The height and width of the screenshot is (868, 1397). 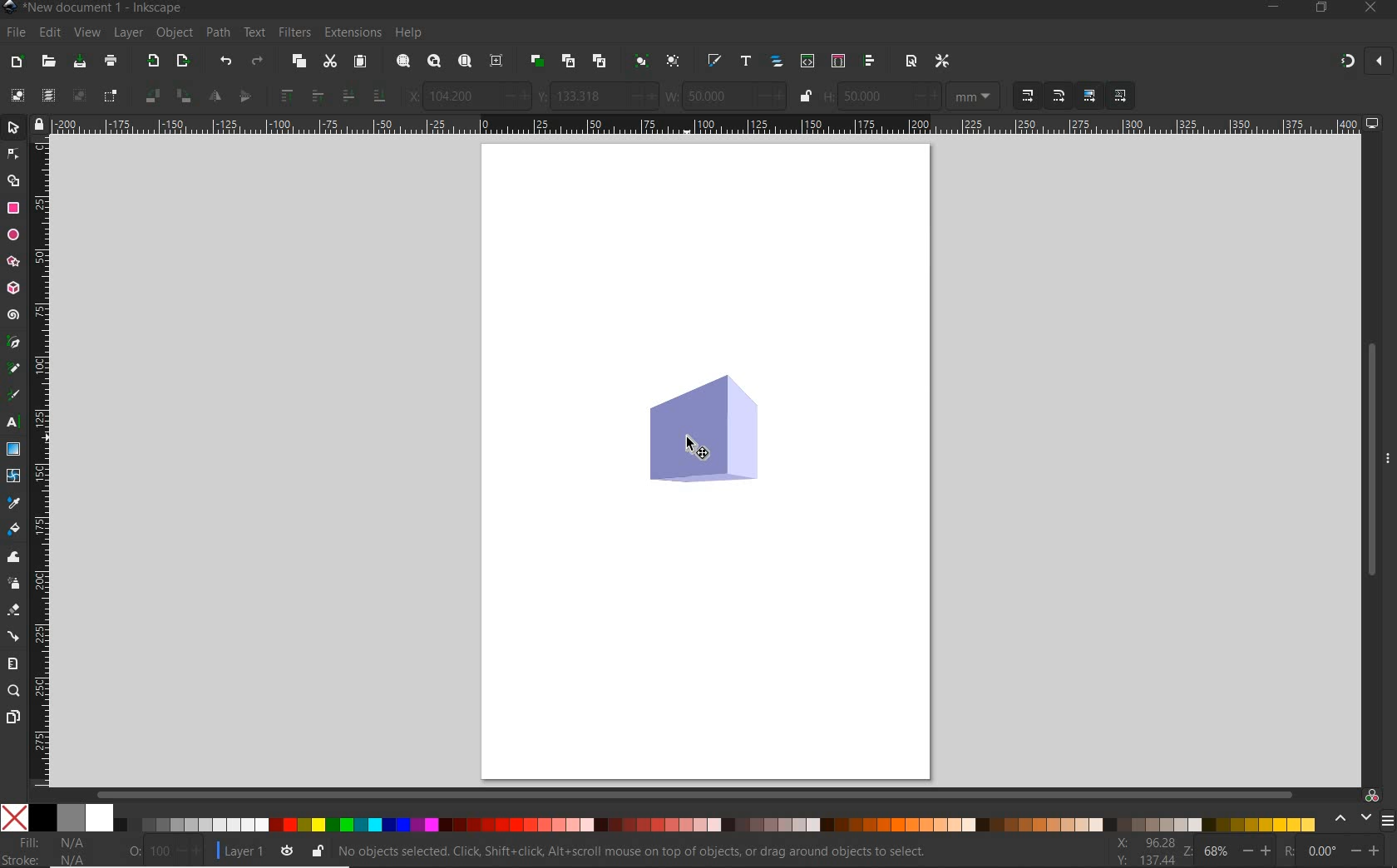 I want to click on scrollbar, so click(x=1368, y=458).